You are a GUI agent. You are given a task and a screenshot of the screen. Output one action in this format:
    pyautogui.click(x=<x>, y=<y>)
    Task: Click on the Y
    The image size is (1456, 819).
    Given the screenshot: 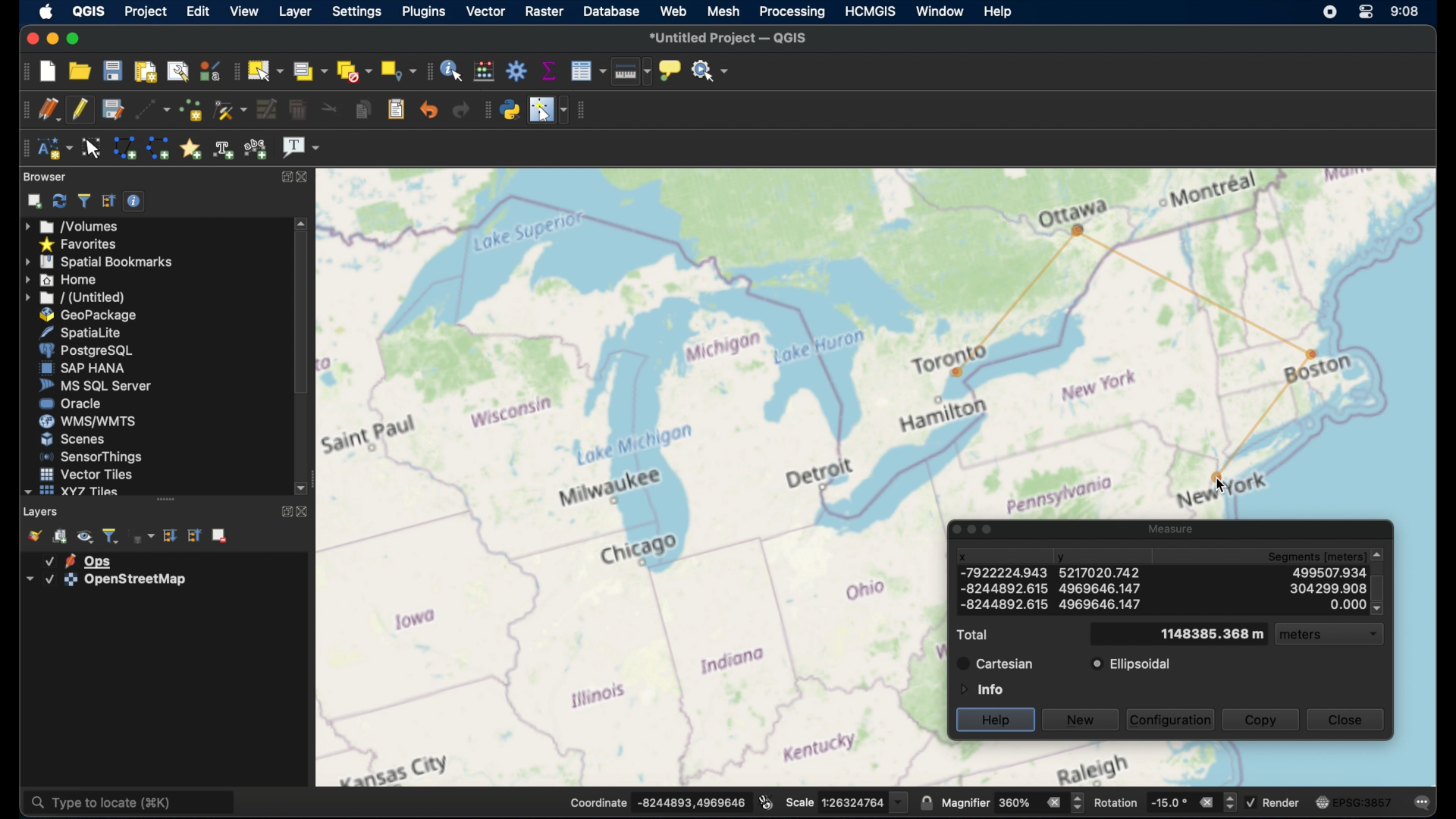 What is the action you would take?
    pyautogui.click(x=1100, y=573)
    